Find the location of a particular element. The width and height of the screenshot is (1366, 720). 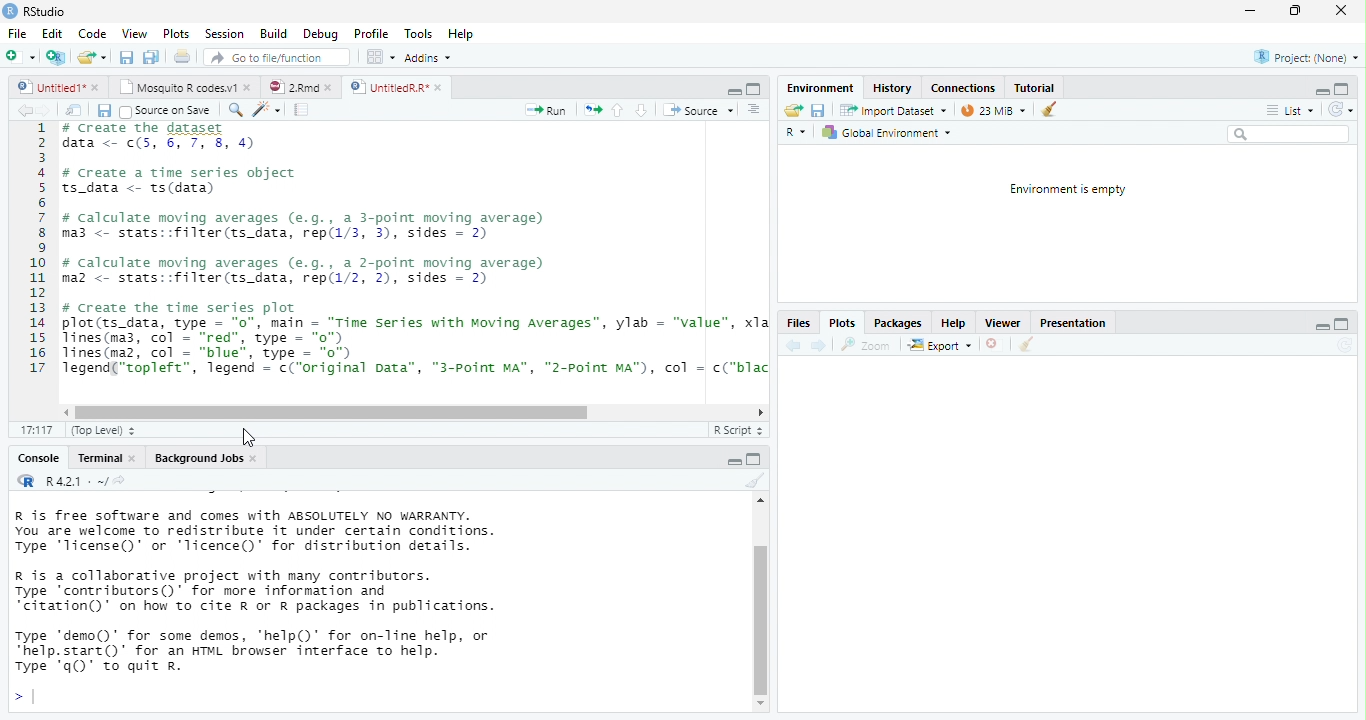

Console is located at coordinates (37, 459).